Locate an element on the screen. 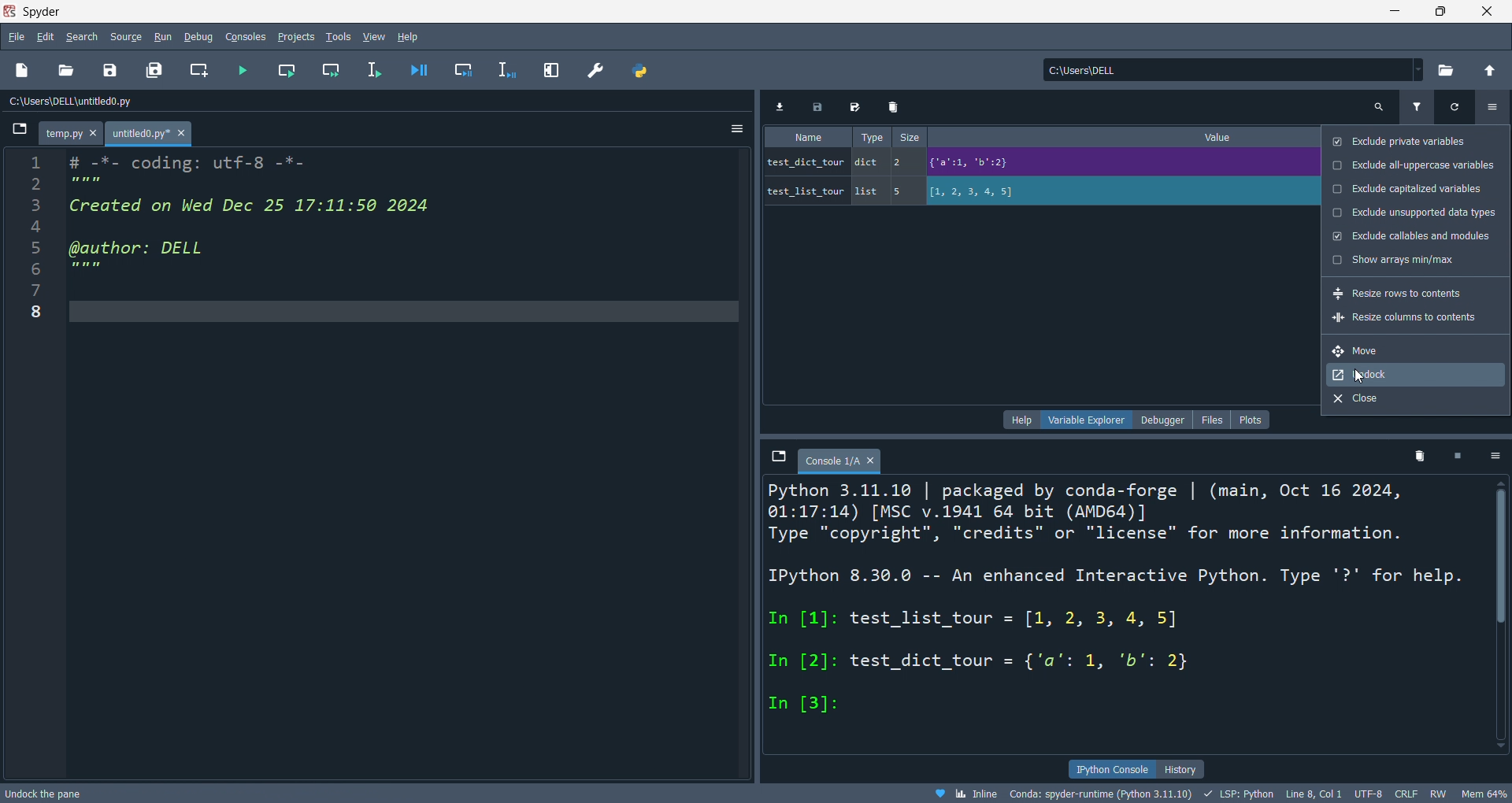 The height and width of the screenshot is (803, 1512). new cell is located at coordinates (201, 71).